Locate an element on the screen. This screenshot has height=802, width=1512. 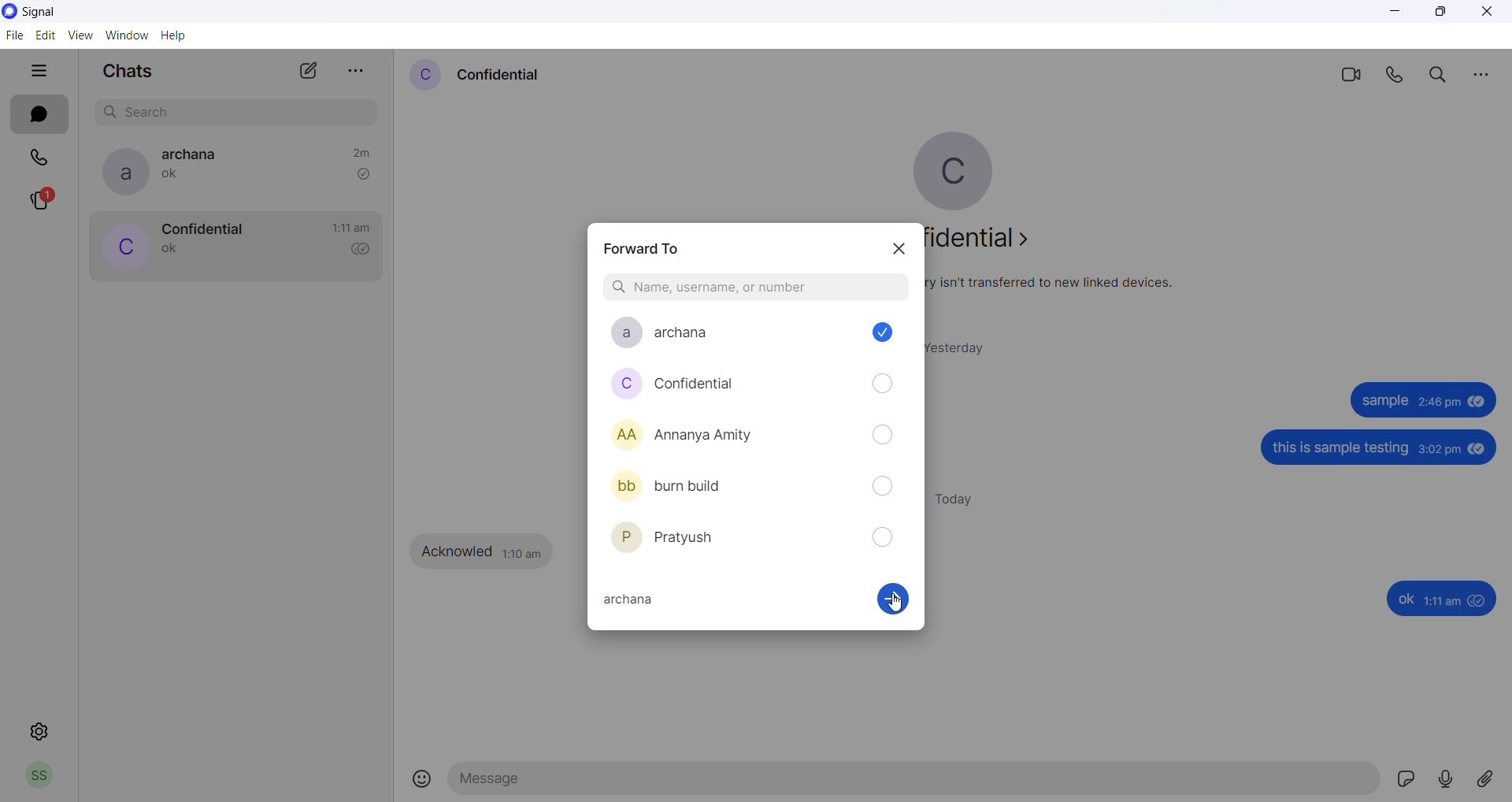
contact name is located at coordinates (500, 73).